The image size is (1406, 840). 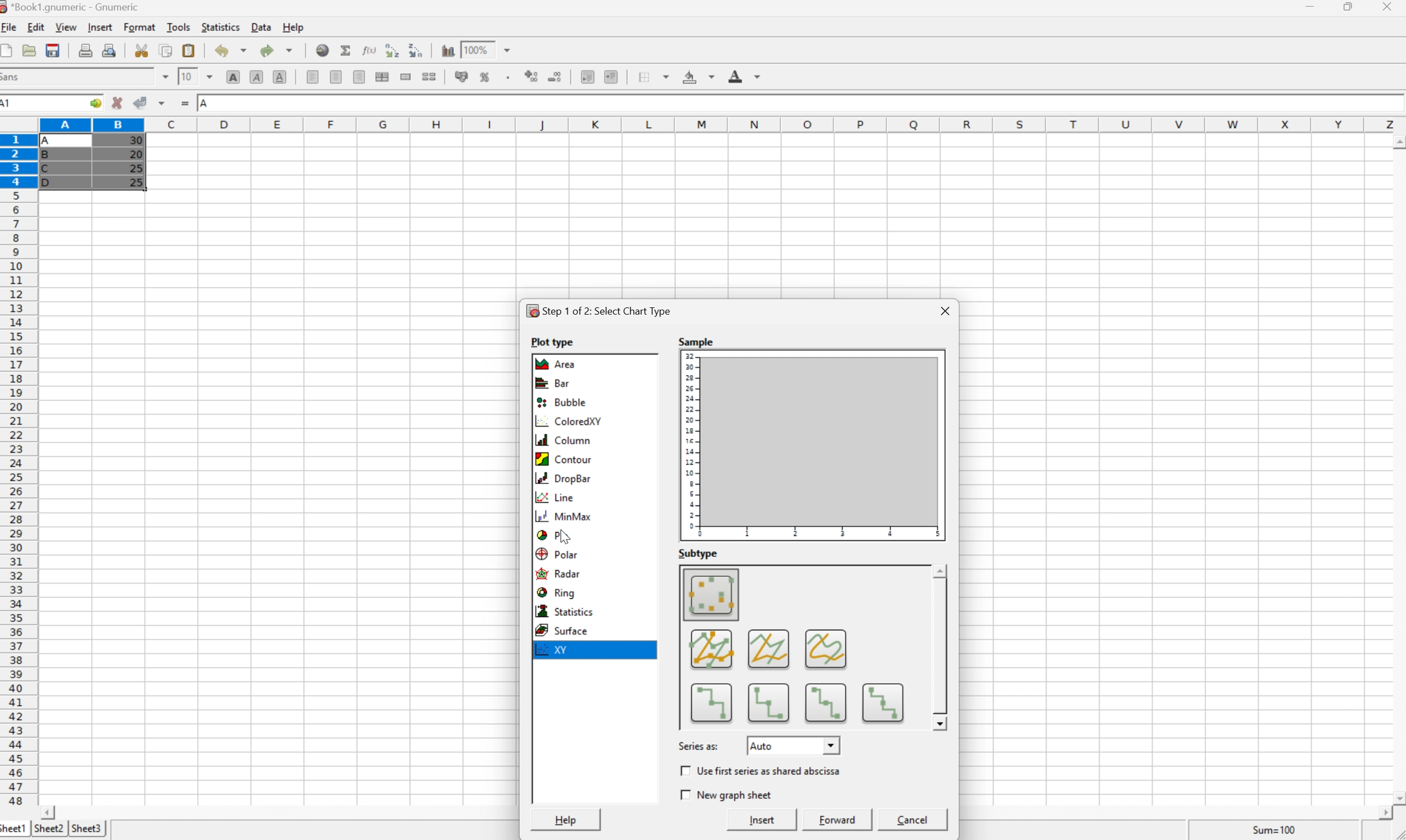 I want to click on Format selection as percentage, so click(x=486, y=79).